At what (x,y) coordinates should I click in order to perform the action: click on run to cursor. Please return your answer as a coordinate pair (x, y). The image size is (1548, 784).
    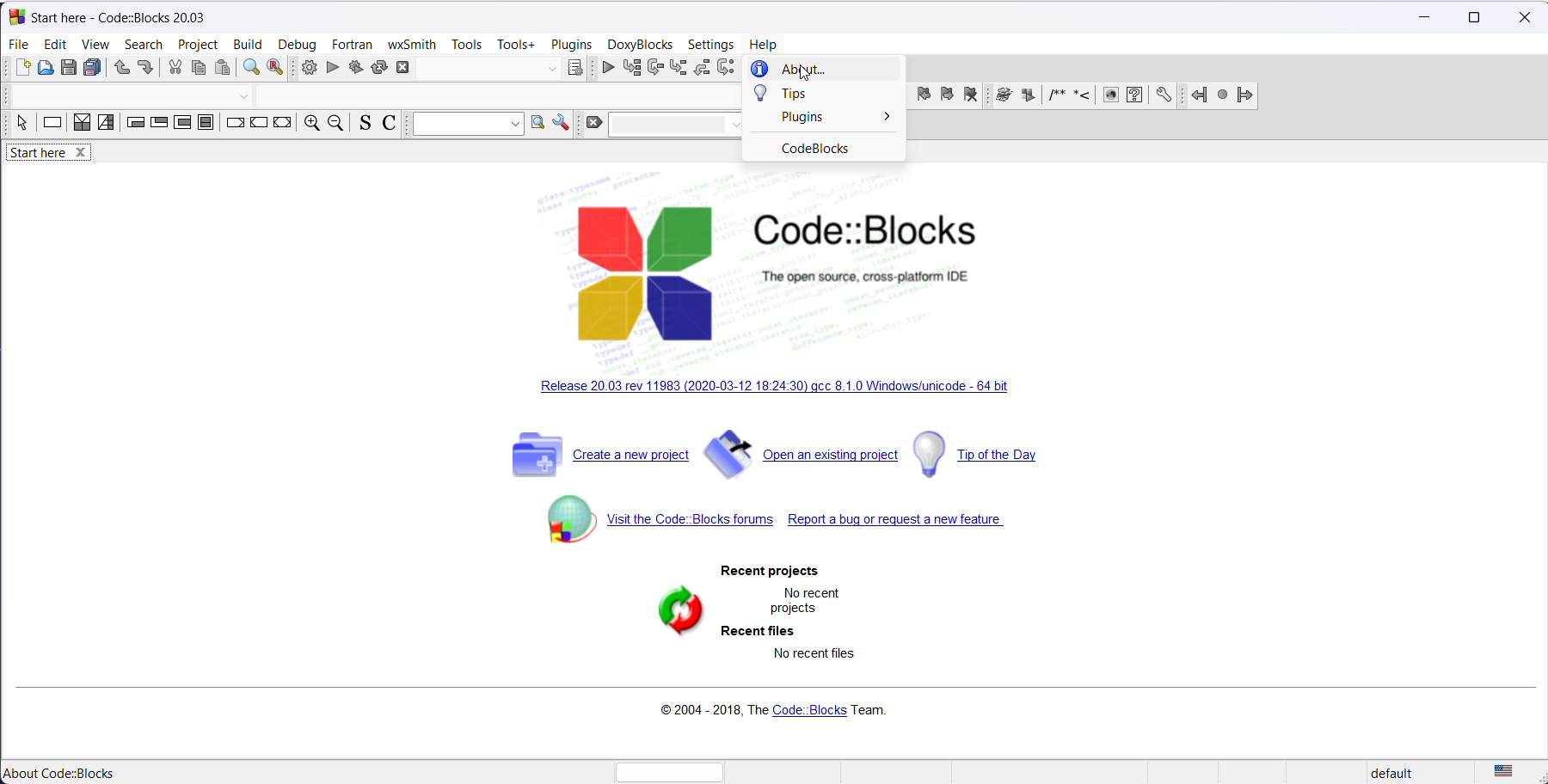
    Looking at the image, I should click on (631, 69).